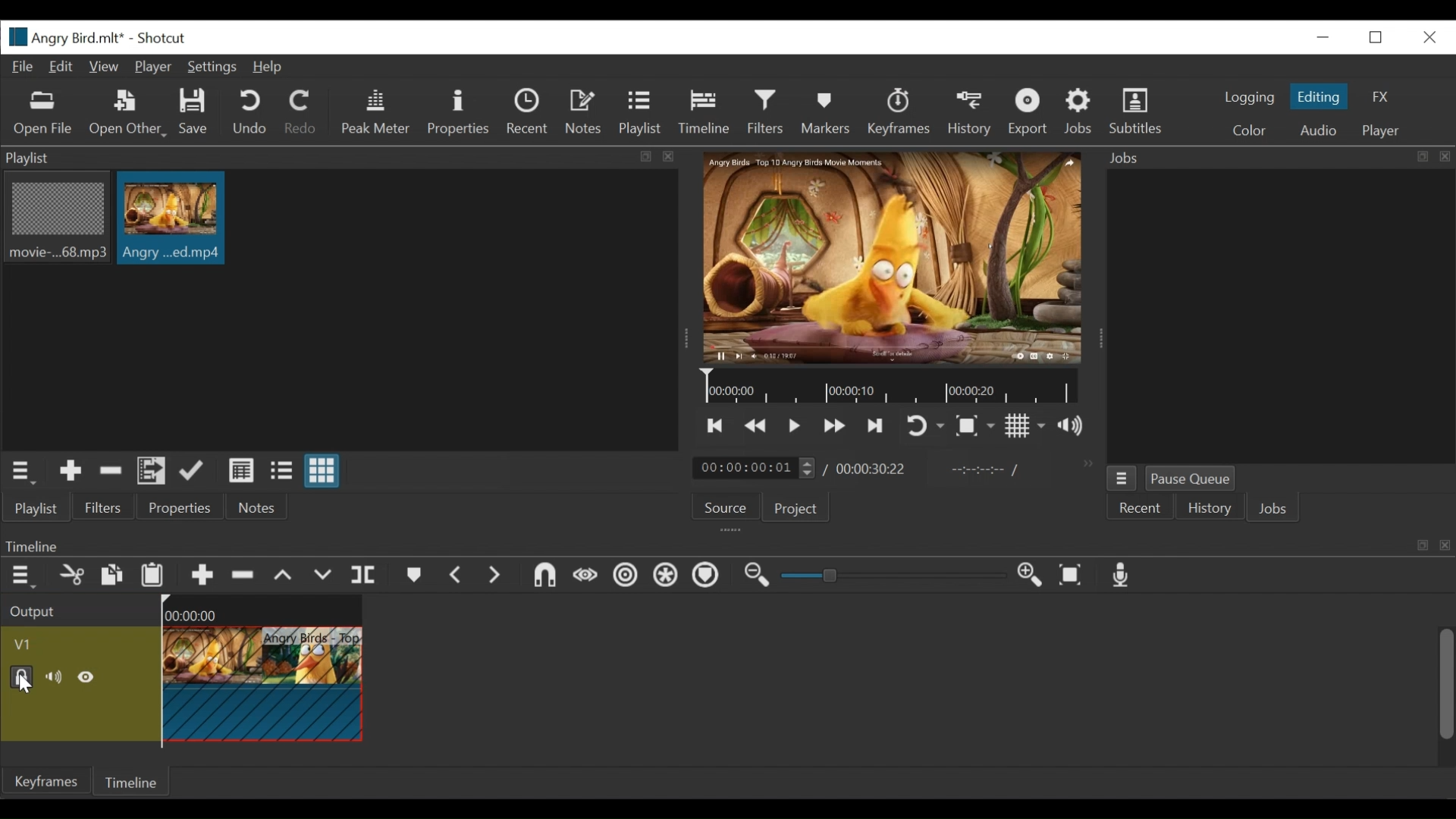  I want to click on Peak Meter, so click(376, 112).